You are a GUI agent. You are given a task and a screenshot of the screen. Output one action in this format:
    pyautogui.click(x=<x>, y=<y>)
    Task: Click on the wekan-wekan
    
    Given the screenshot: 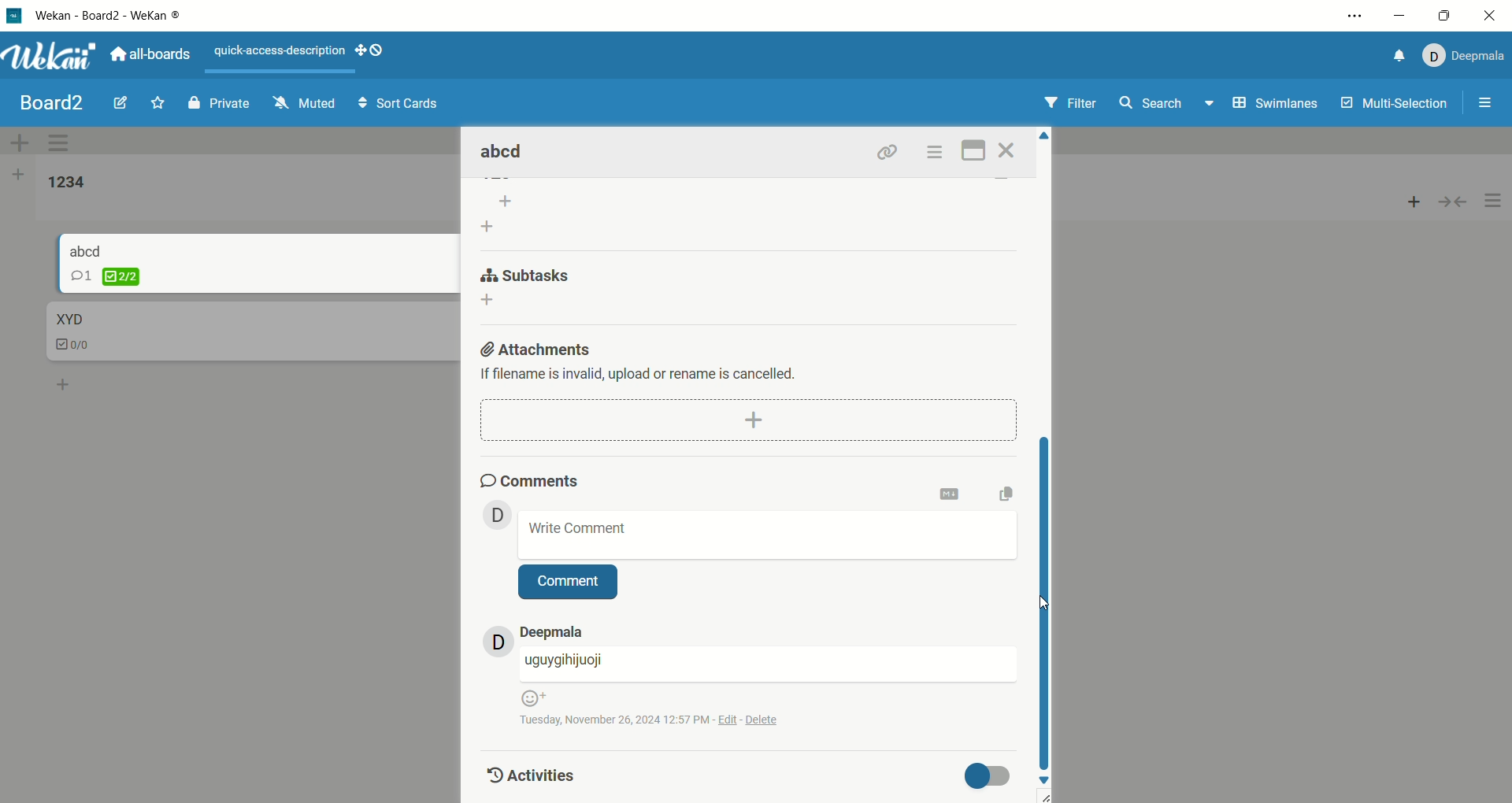 What is the action you would take?
    pyautogui.click(x=108, y=17)
    